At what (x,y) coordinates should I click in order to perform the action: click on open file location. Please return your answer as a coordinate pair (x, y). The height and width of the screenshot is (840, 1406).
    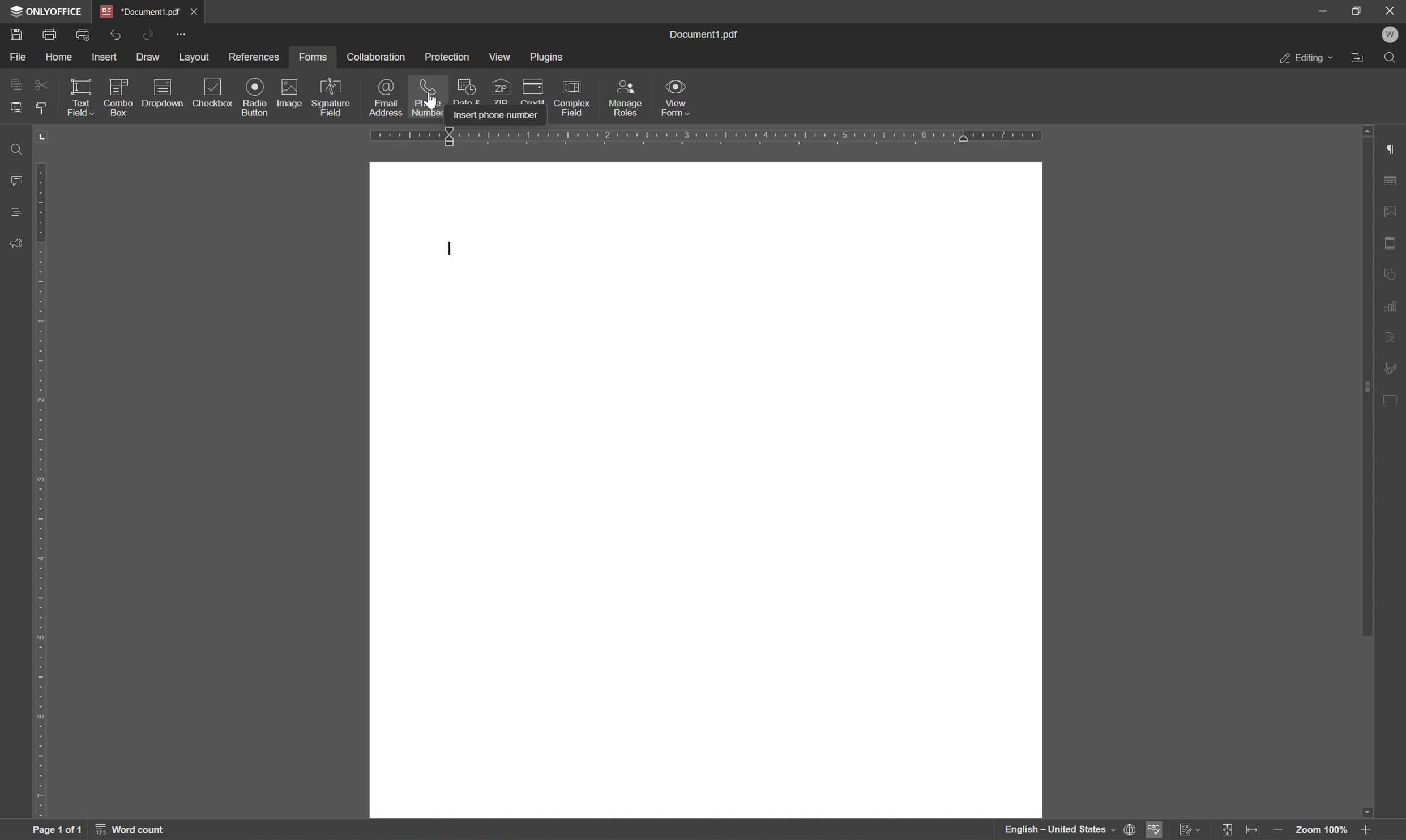
    Looking at the image, I should click on (1363, 56).